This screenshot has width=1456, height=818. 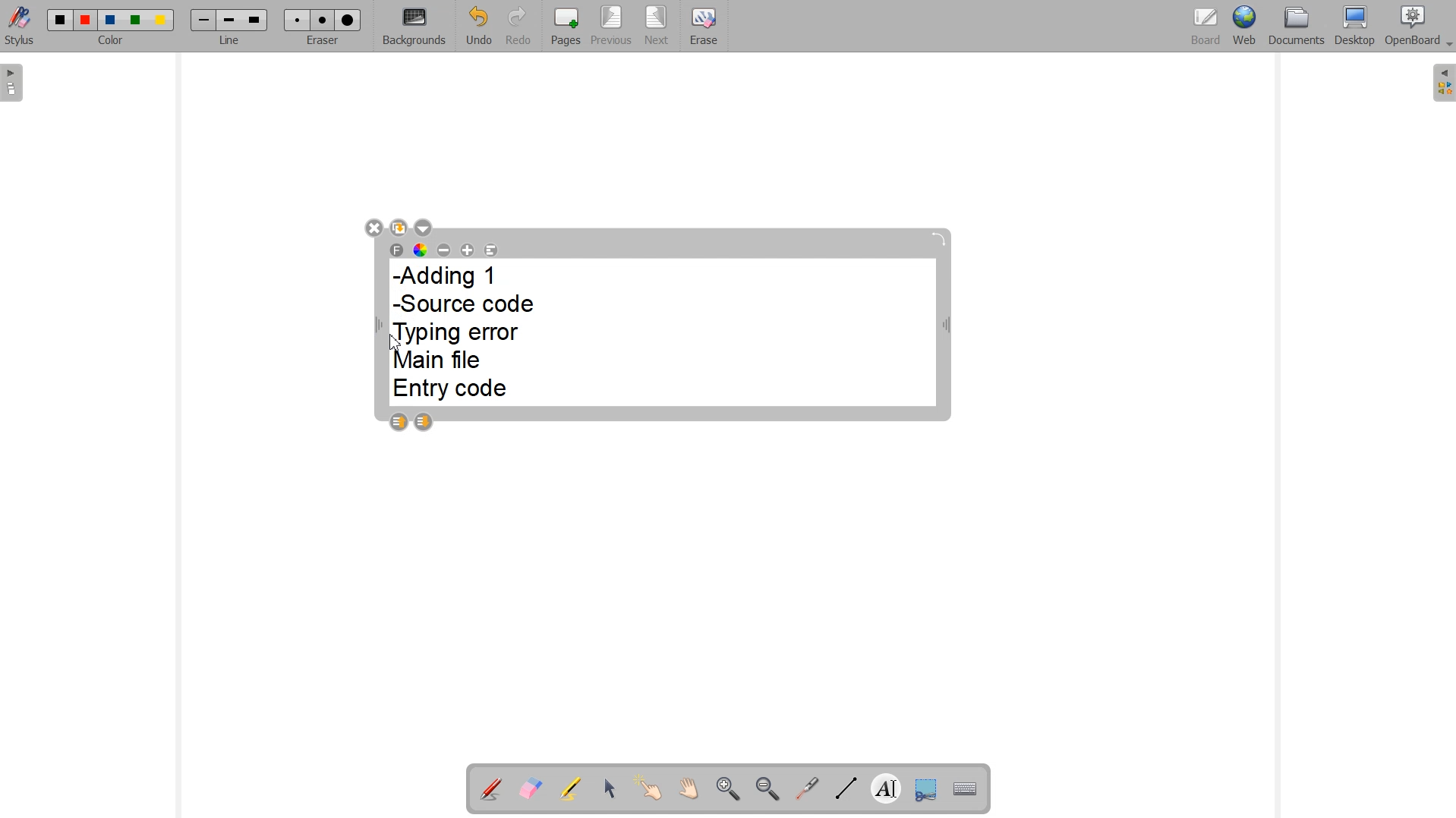 What do you see at coordinates (704, 24) in the screenshot?
I see `Erase` at bounding box center [704, 24].